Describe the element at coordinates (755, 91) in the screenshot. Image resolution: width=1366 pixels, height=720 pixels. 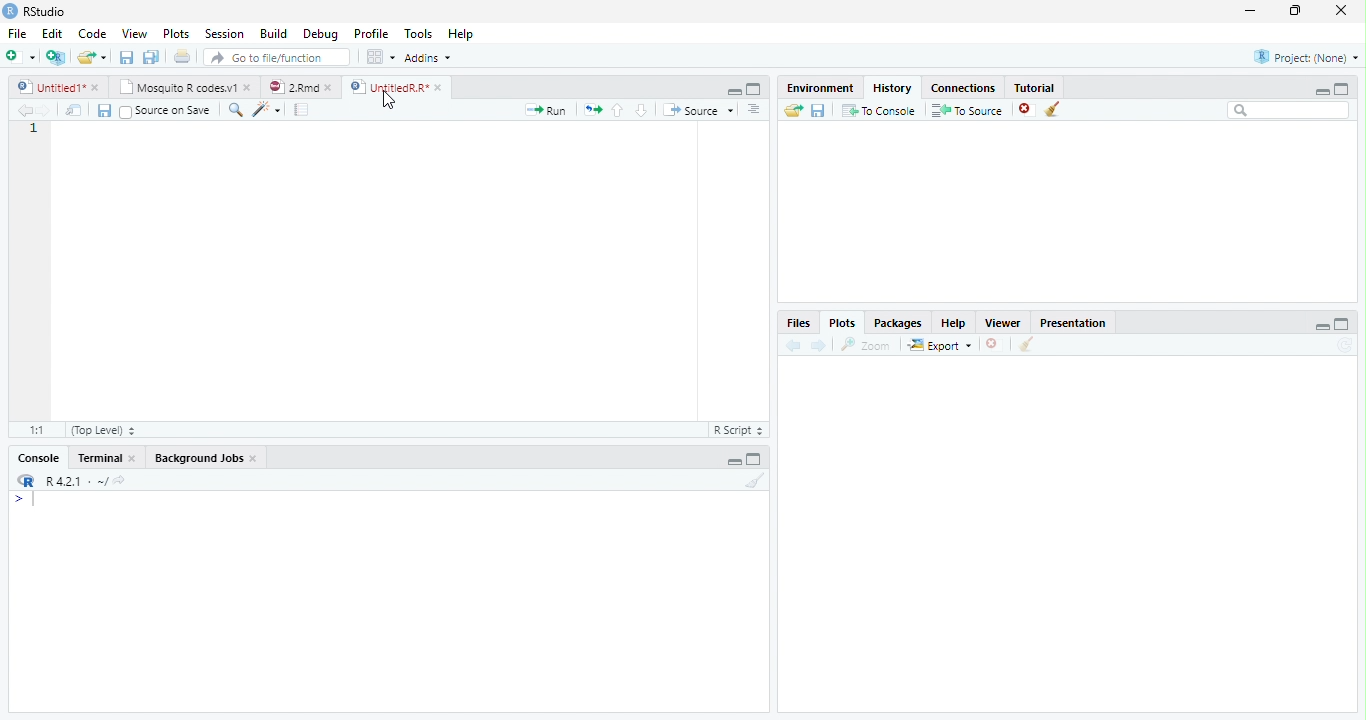
I see `Maximize` at that location.